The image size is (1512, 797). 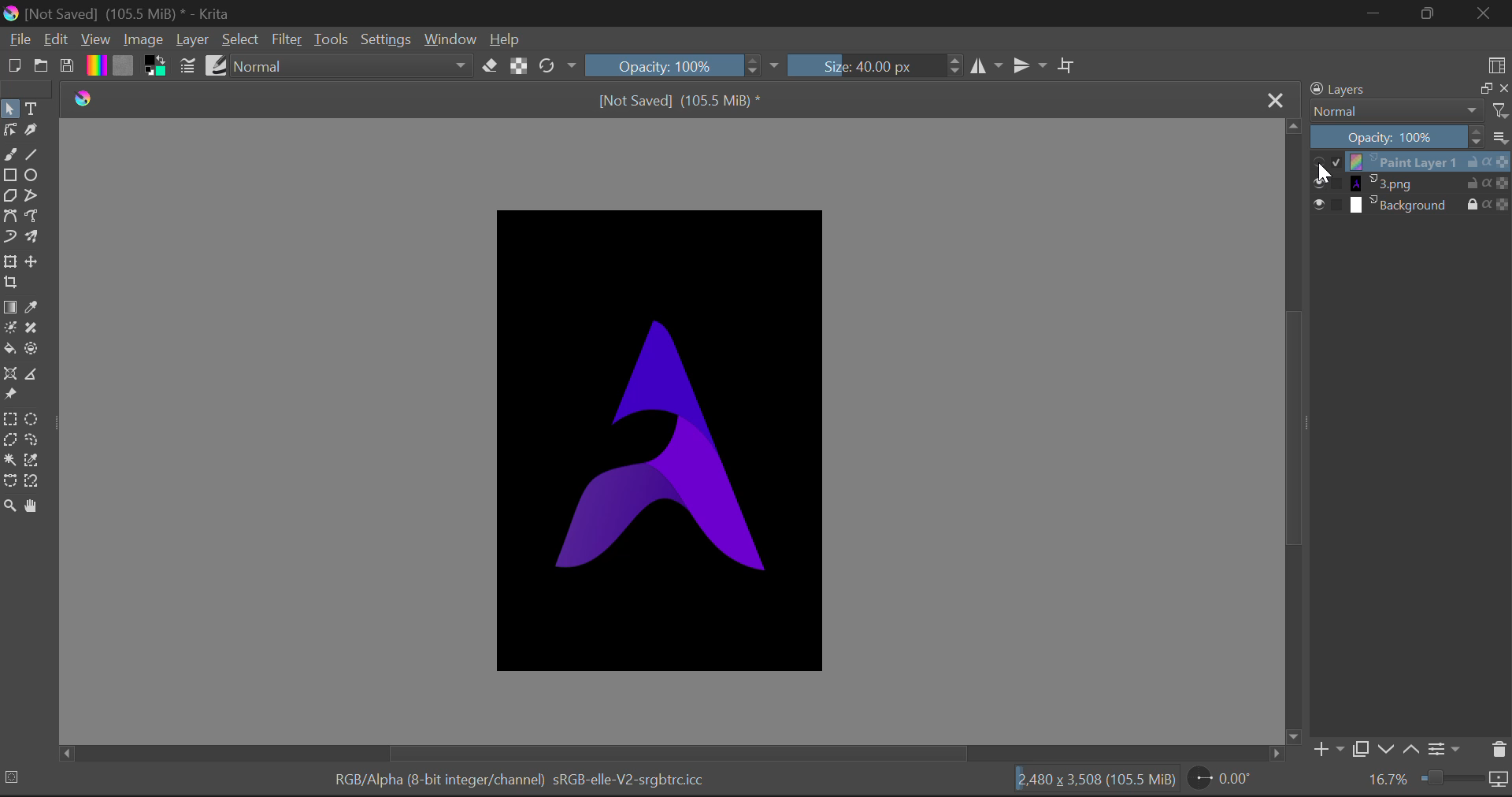 What do you see at coordinates (96, 40) in the screenshot?
I see `View` at bounding box center [96, 40].